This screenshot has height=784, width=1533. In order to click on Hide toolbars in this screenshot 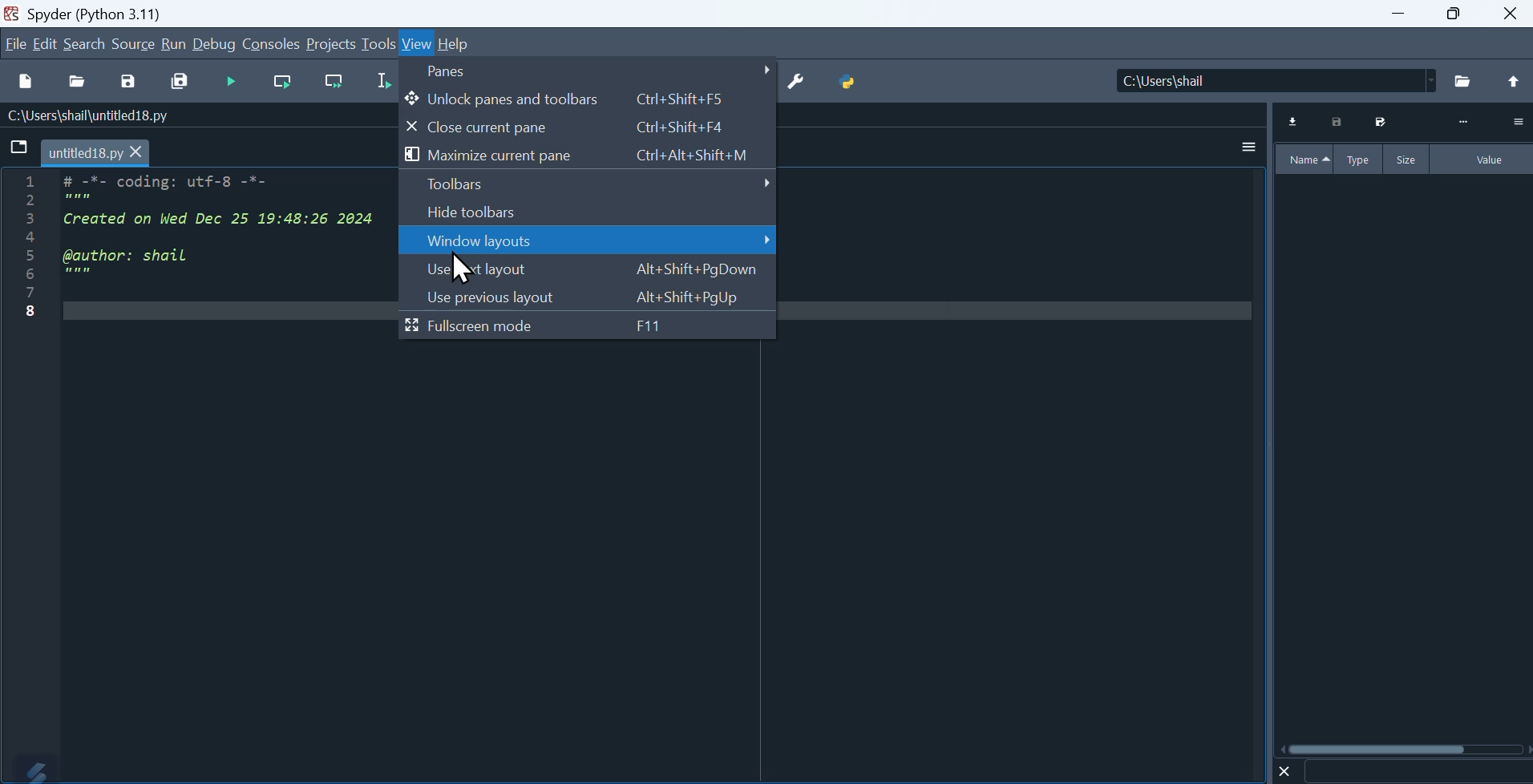, I will do `click(586, 212)`.